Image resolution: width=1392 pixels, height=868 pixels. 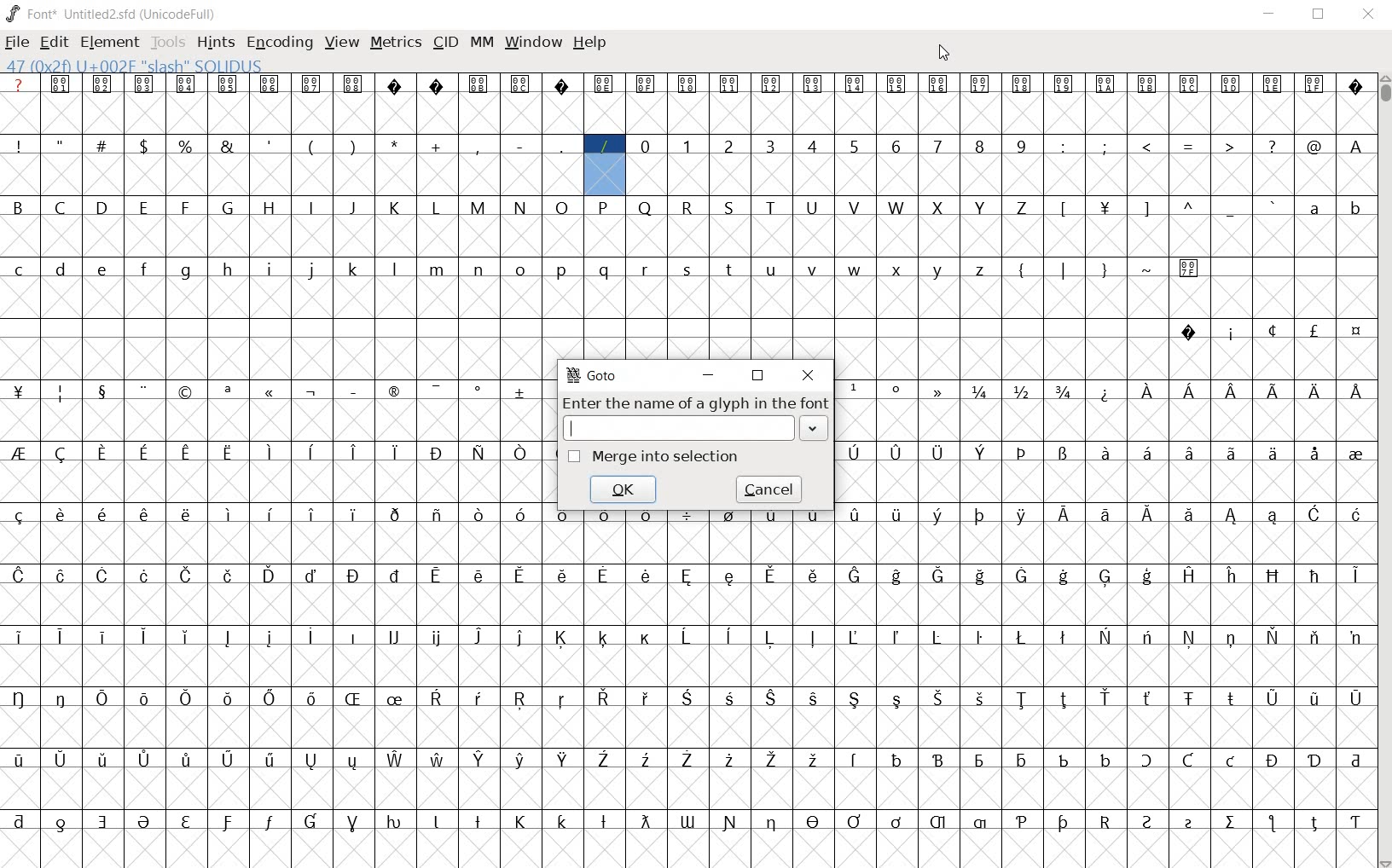 I want to click on glyph, so click(x=185, y=146).